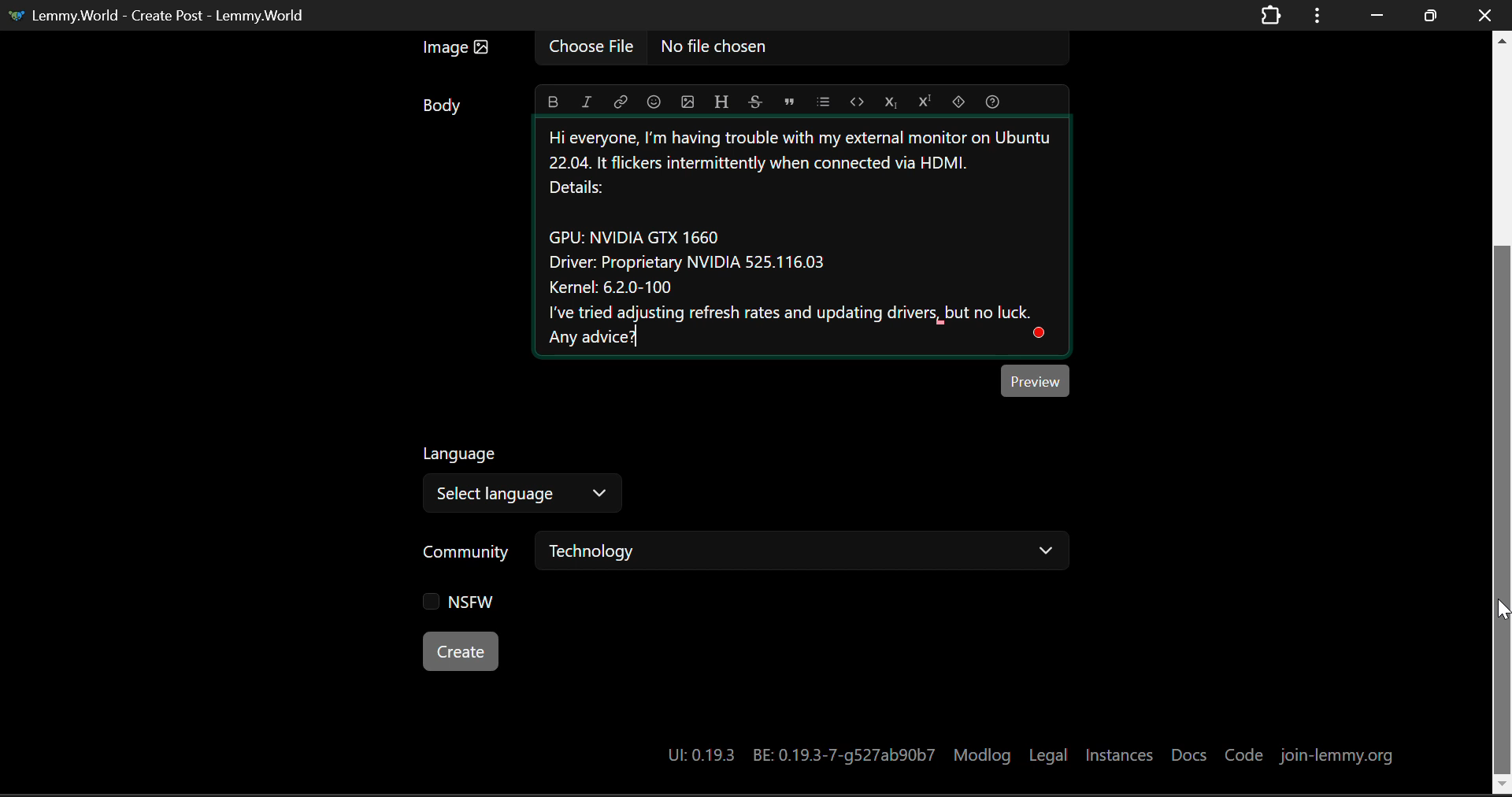 The image size is (1512, 797). I want to click on Create, so click(462, 652).